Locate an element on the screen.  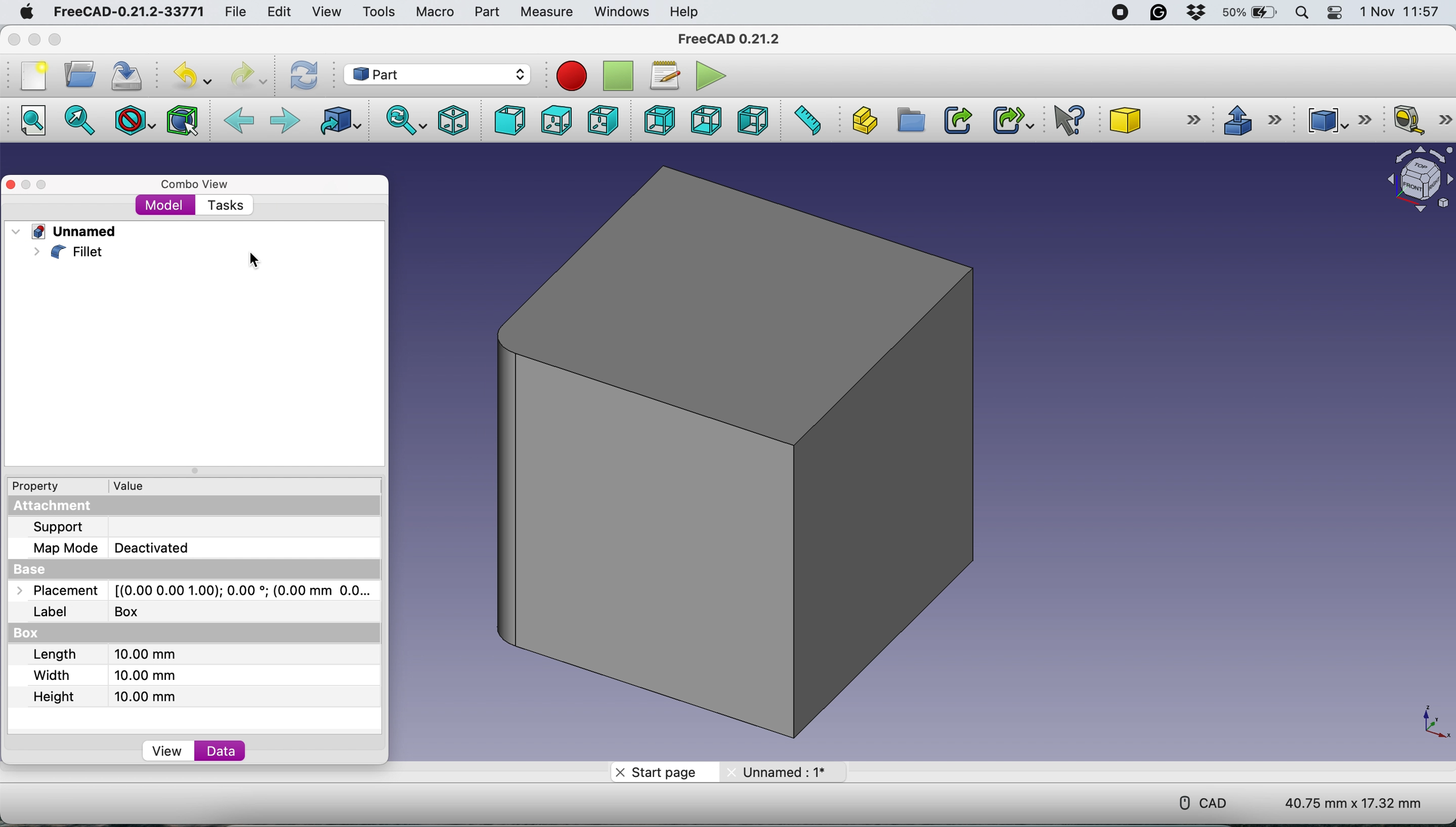
fit all is located at coordinates (31, 121).